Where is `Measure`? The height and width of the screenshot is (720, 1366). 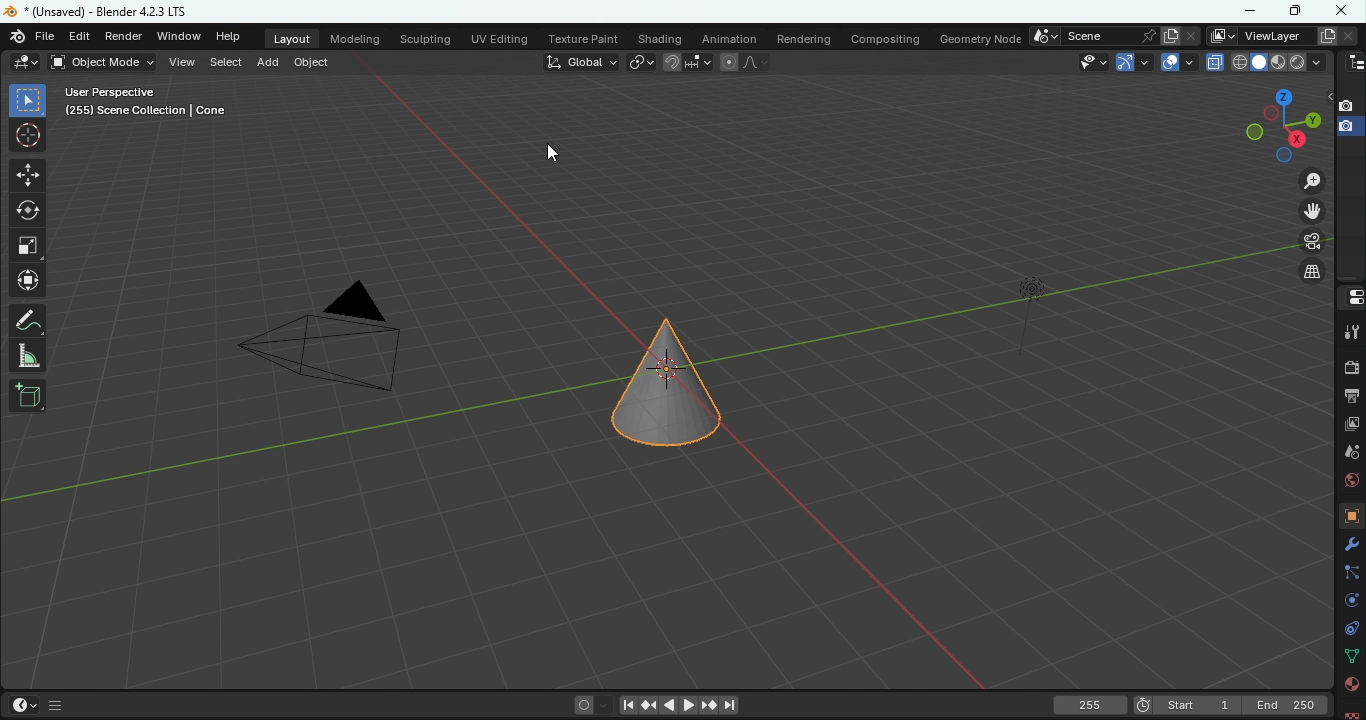 Measure is located at coordinates (31, 354).